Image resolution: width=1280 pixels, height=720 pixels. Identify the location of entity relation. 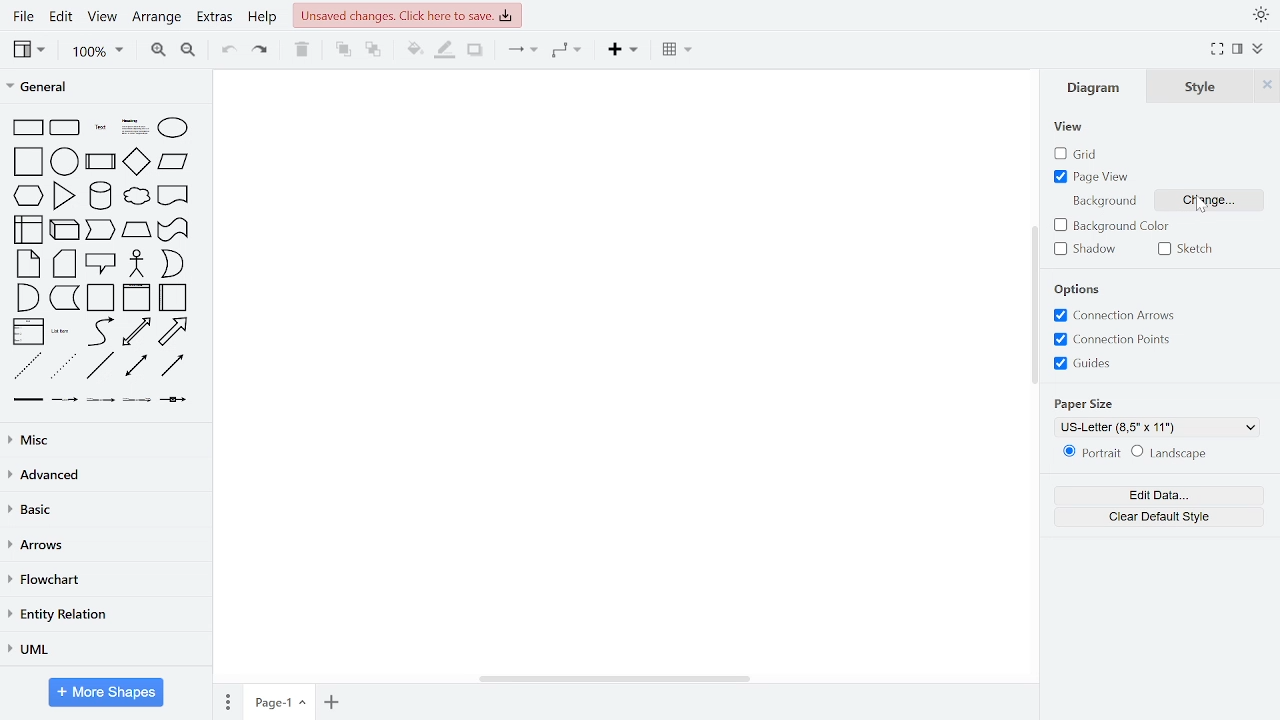
(102, 616).